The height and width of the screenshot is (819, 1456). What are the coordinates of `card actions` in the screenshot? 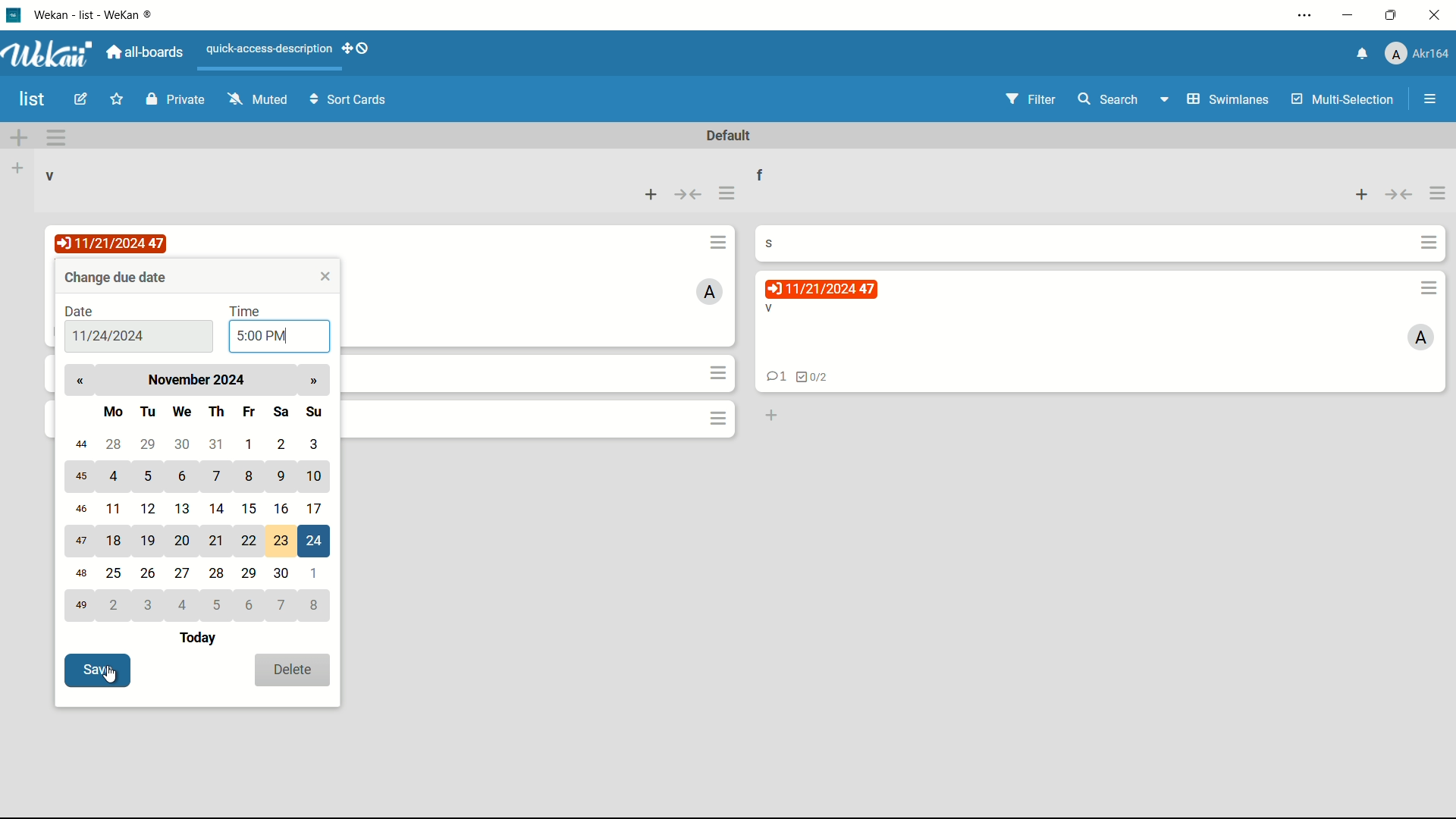 It's located at (718, 241).